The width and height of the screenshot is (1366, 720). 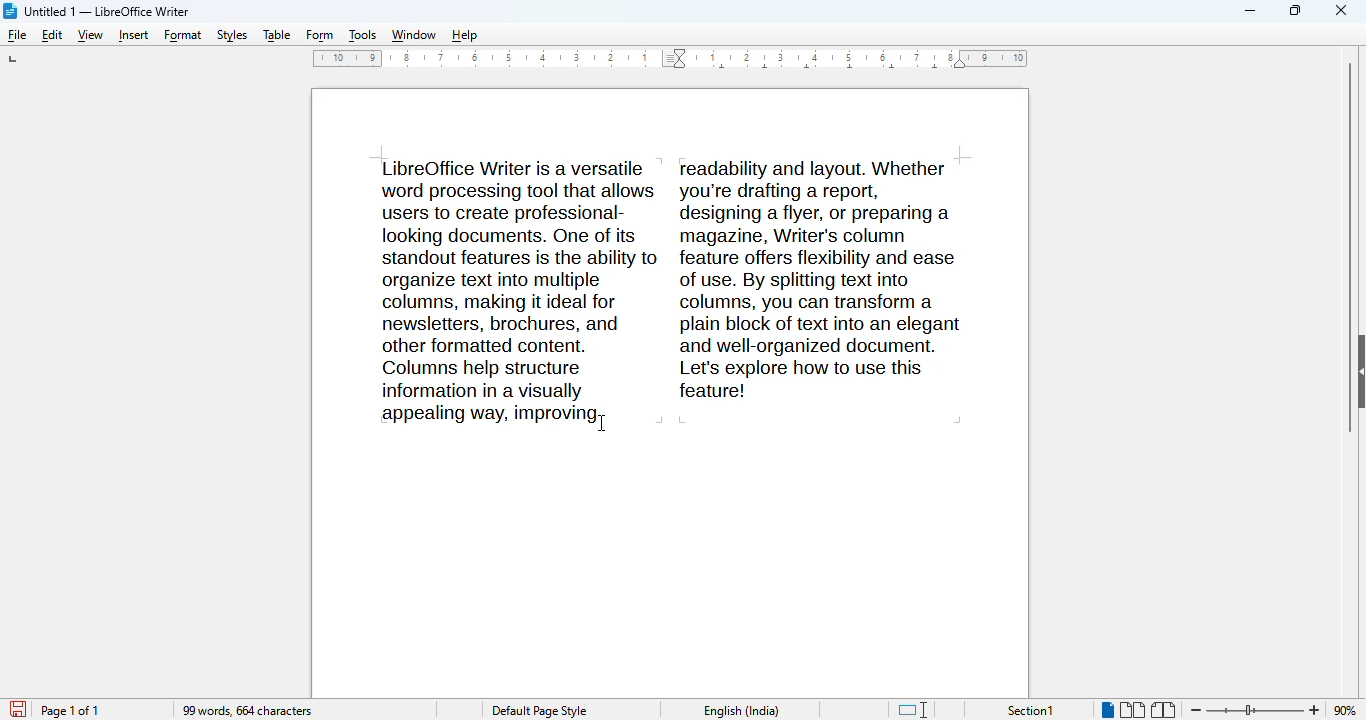 I want to click on page style, so click(x=540, y=711).